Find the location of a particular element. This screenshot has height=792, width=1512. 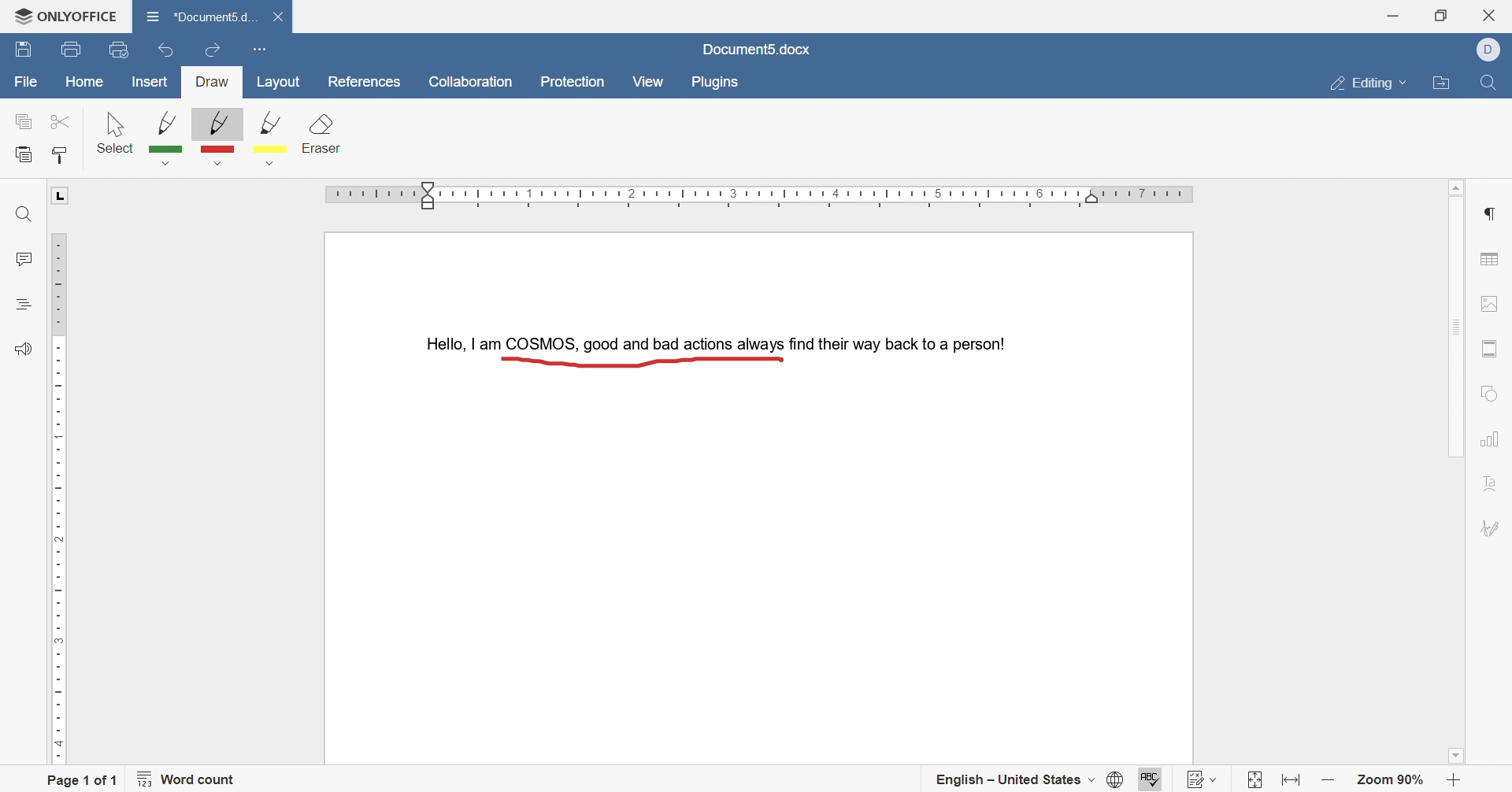

header and footer settings is located at coordinates (1489, 350).